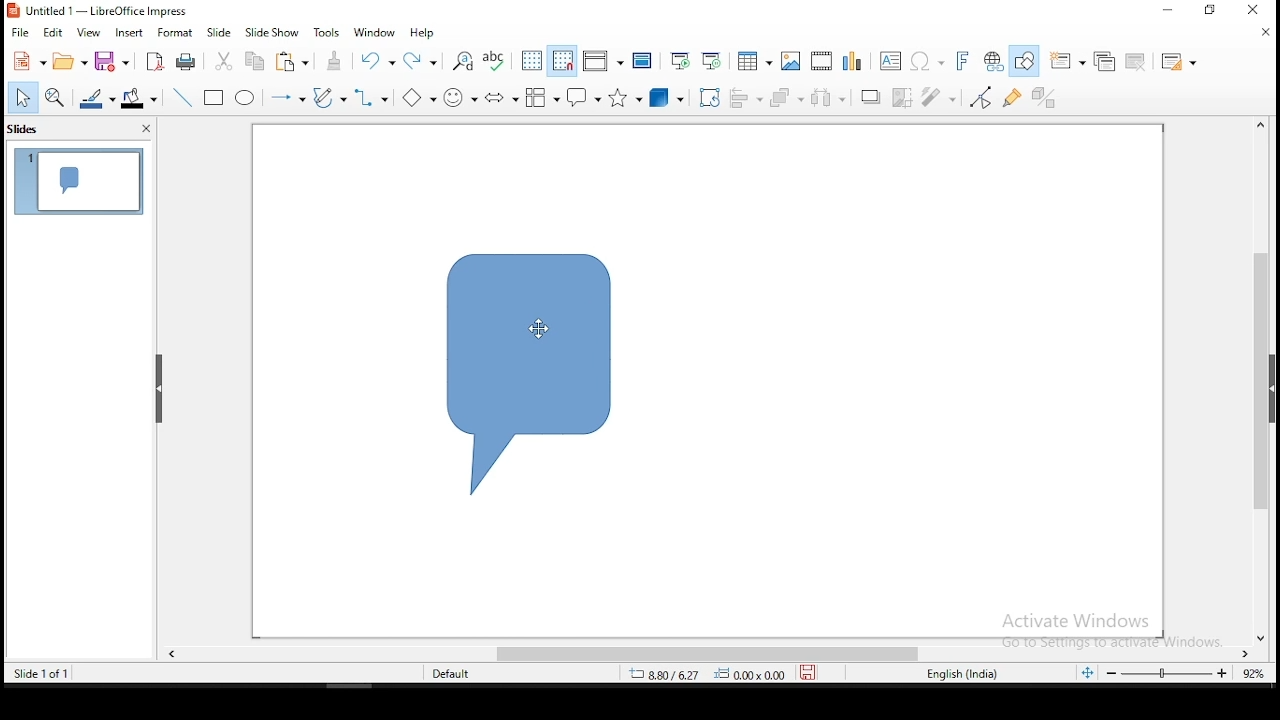  I want to click on rotate, so click(711, 98).